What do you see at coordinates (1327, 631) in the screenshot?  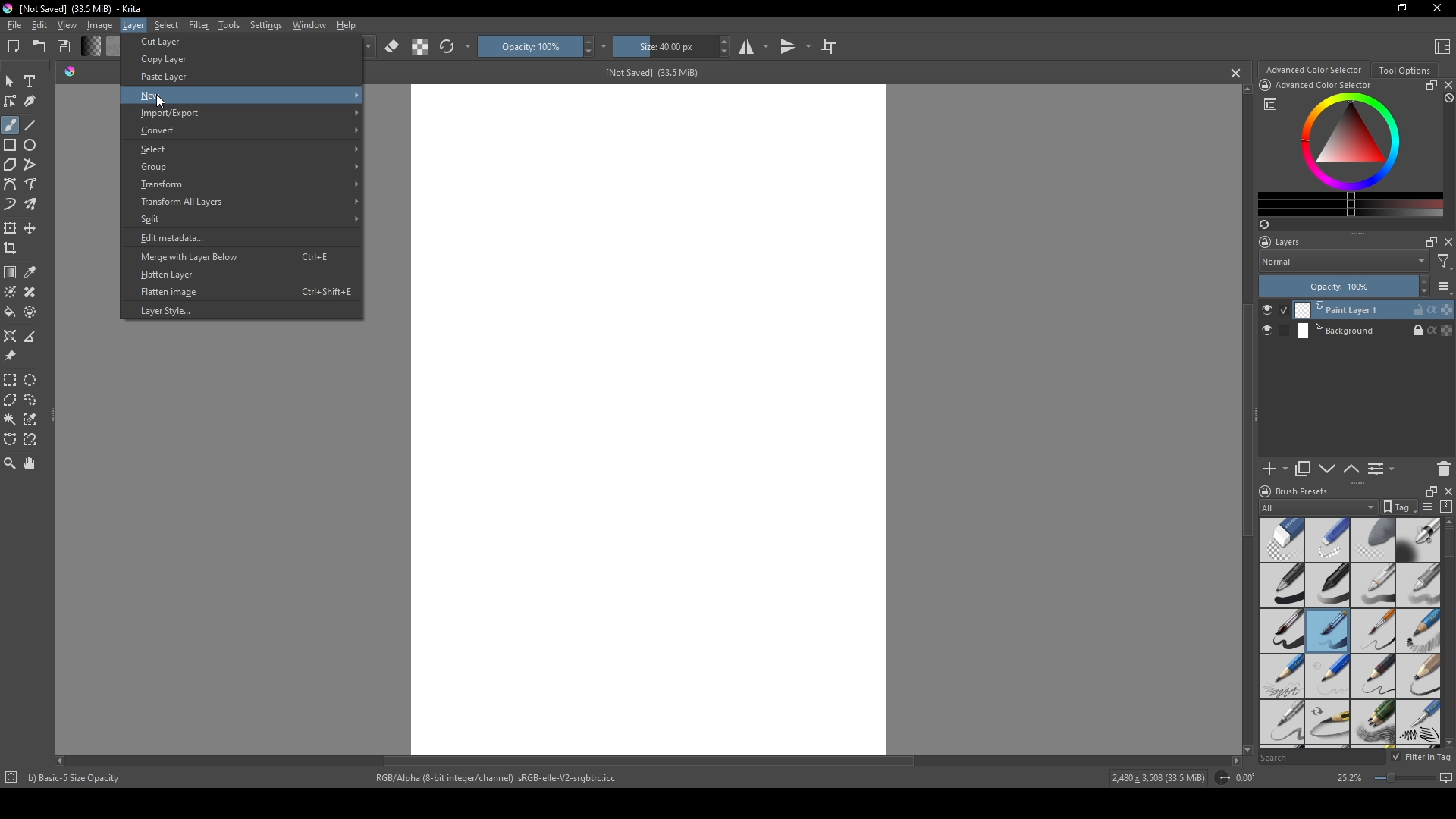 I see `medium brush` at bounding box center [1327, 631].